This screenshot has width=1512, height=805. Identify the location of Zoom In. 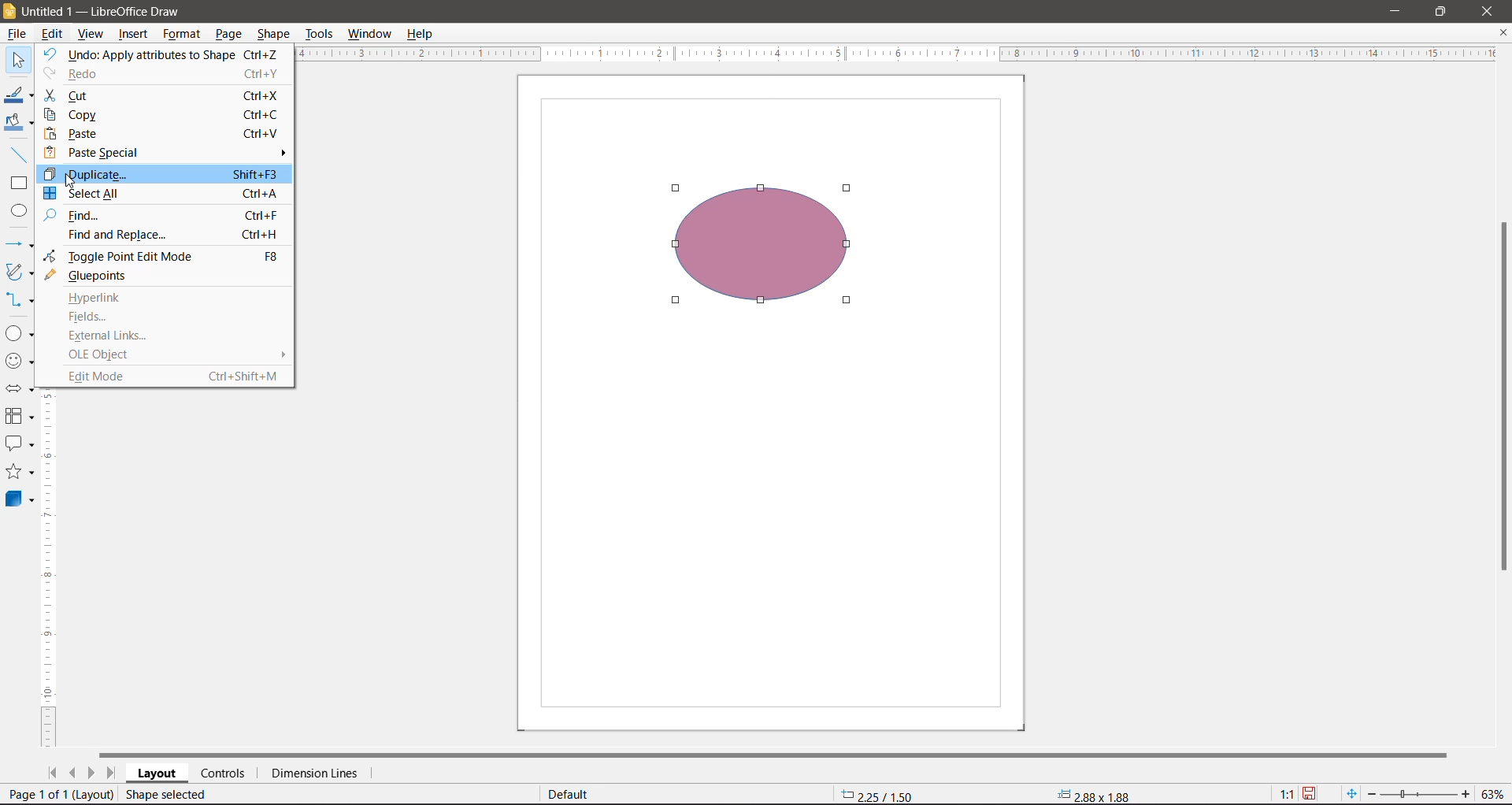
(1463, 794).